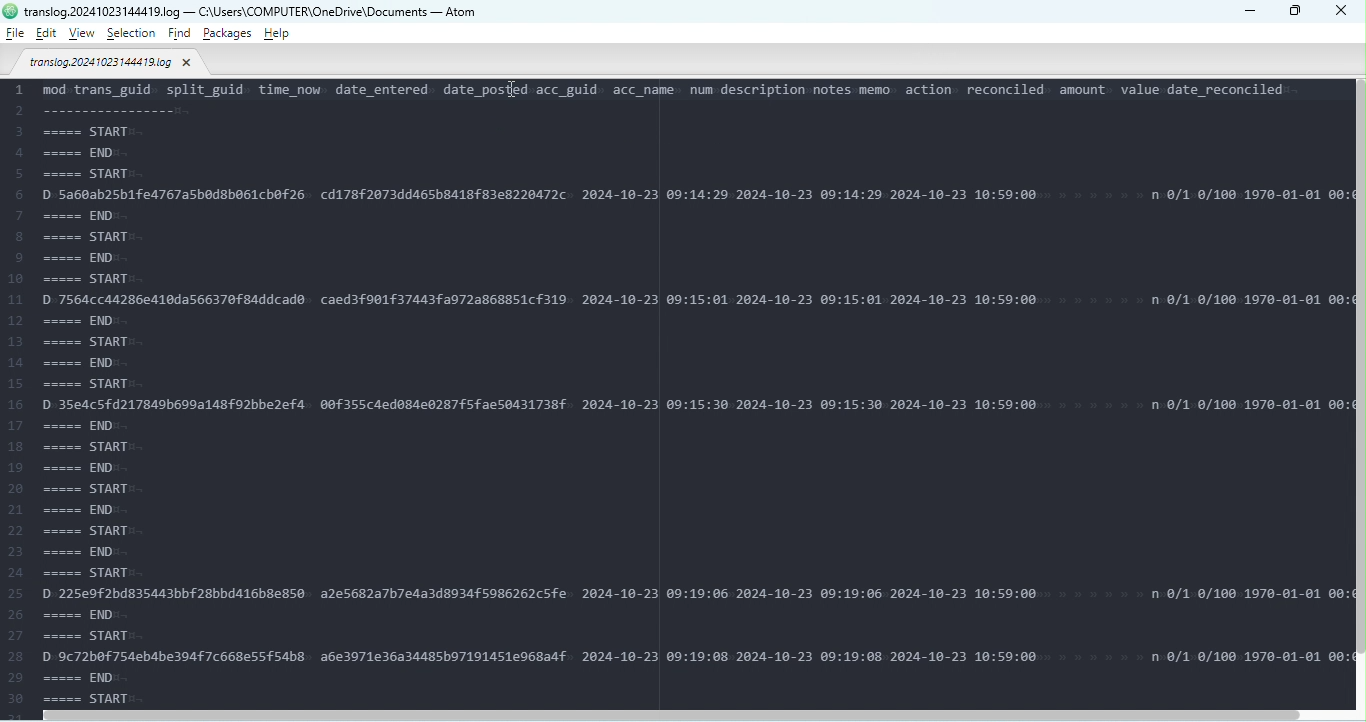  What do you see at coordinates (514, 92) in the screenshot?
I see `Cursor` at bounding box center [514, 92].